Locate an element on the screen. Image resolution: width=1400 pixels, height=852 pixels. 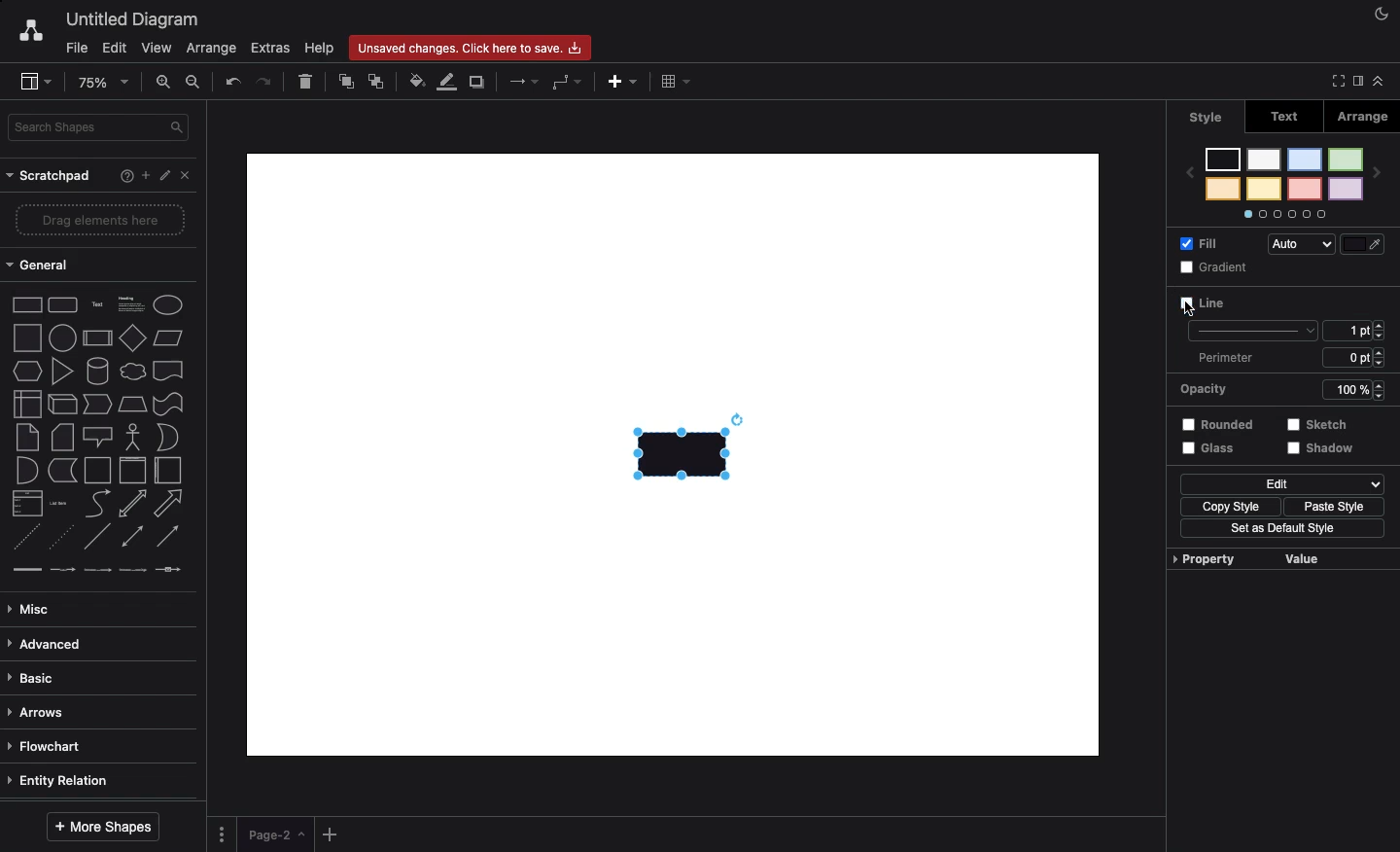
color 2 is located at coordinates (1346, 189).